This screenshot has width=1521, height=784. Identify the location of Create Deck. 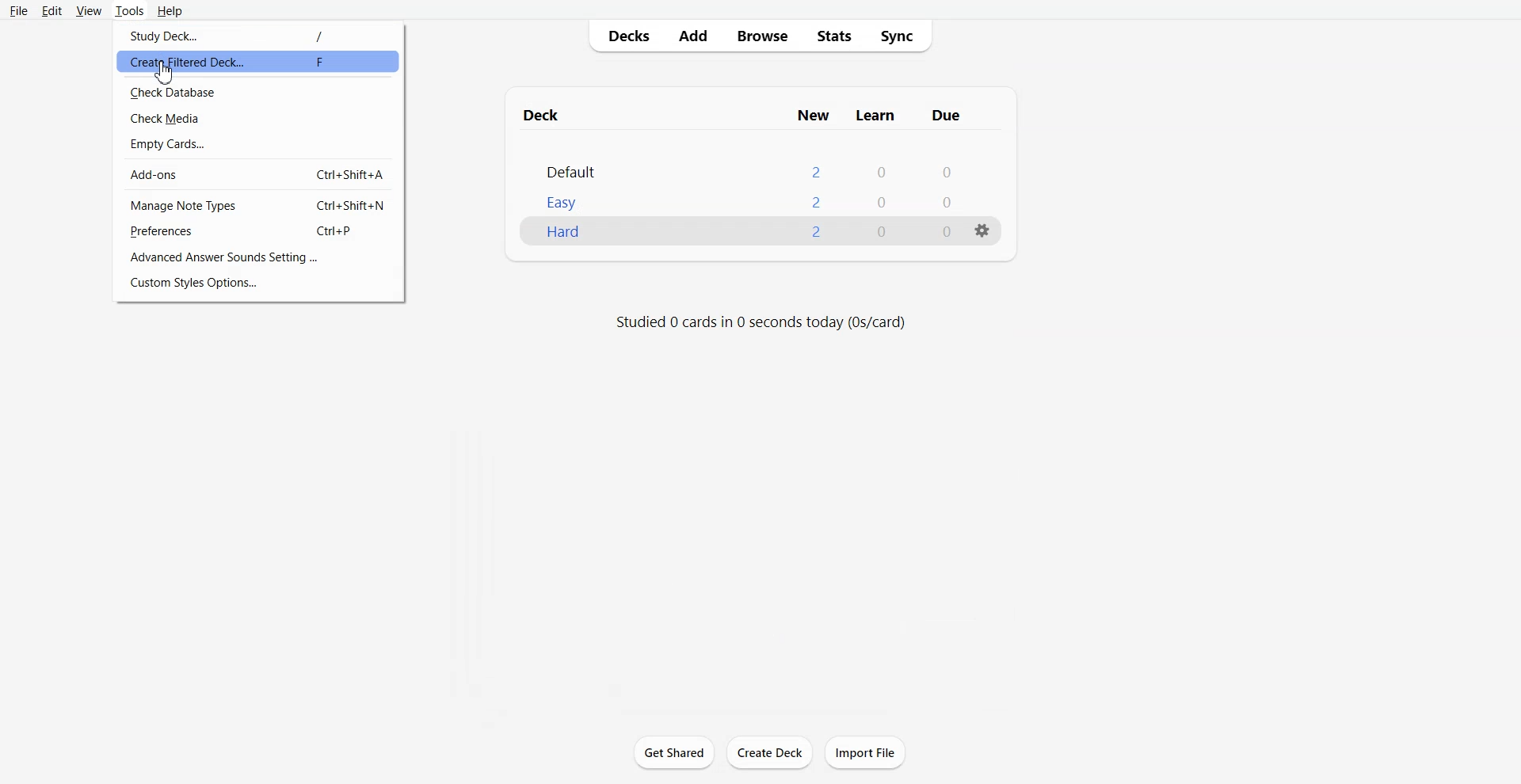
(769, 752).